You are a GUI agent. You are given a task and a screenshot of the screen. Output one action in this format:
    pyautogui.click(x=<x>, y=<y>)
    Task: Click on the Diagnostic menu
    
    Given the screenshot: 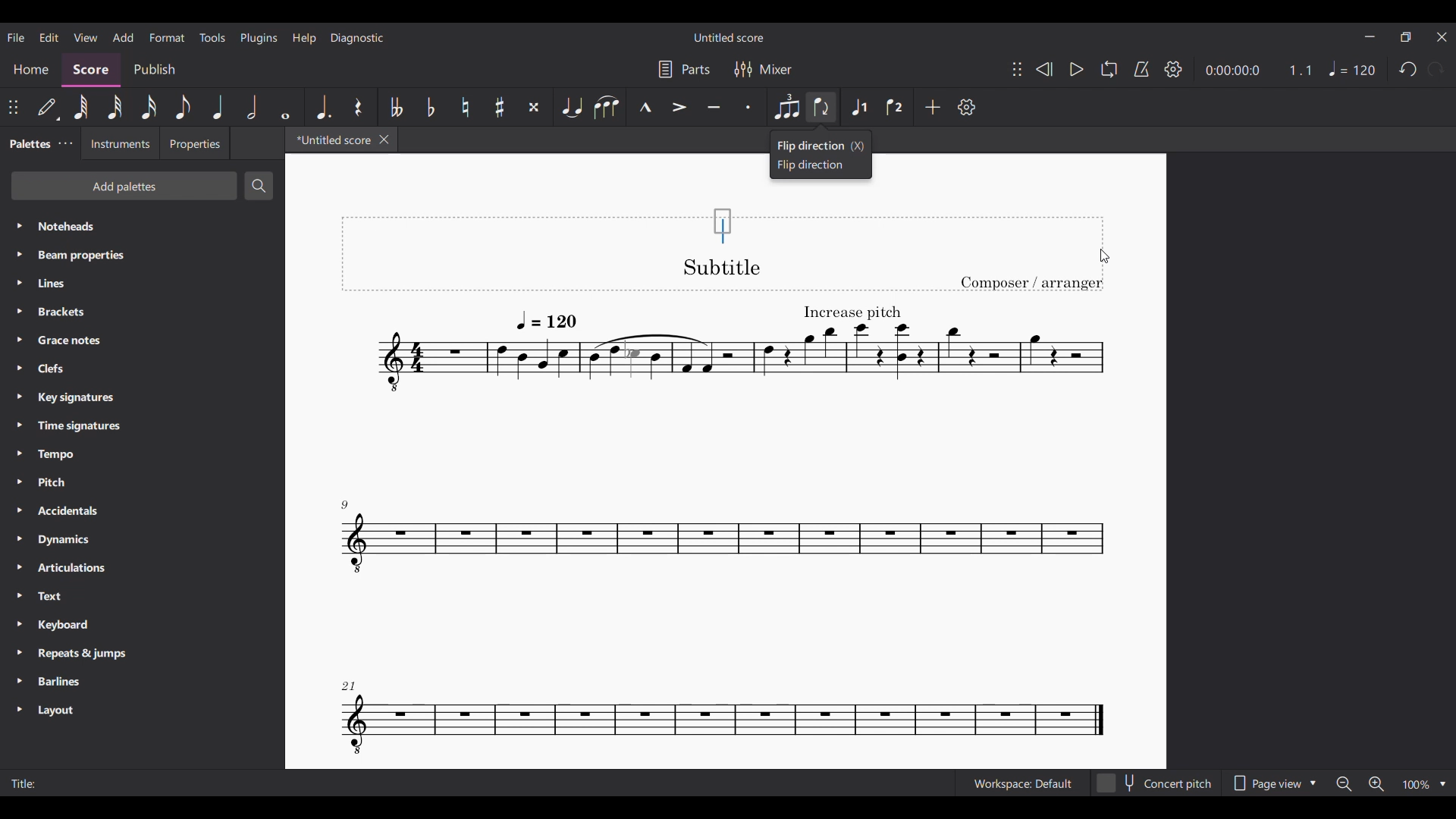 What is the action you would take?
    pyautogui.click(x=357, y=38)
    